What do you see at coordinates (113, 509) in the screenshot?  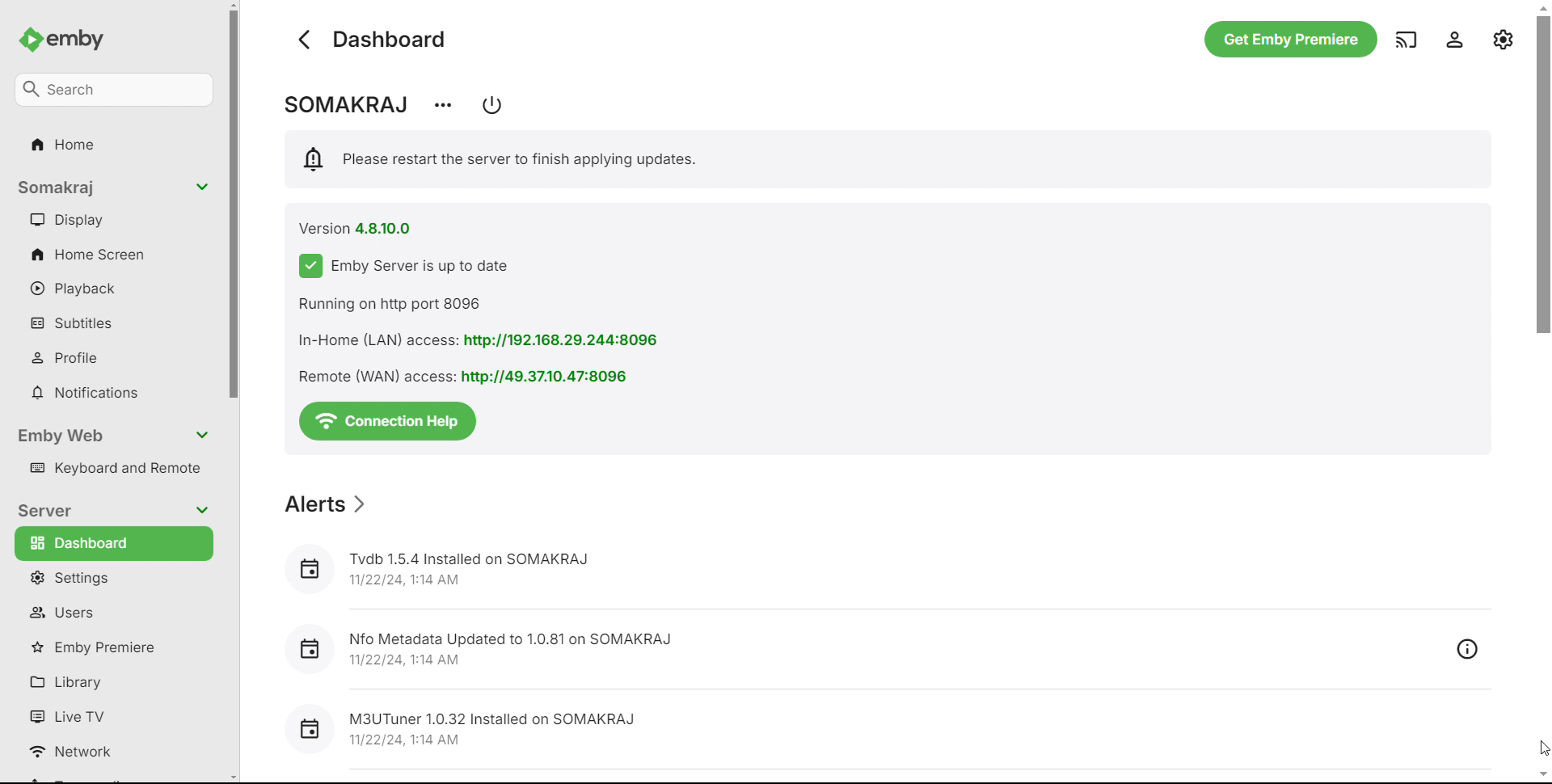 I see `server` at bounding box center [113, 509].